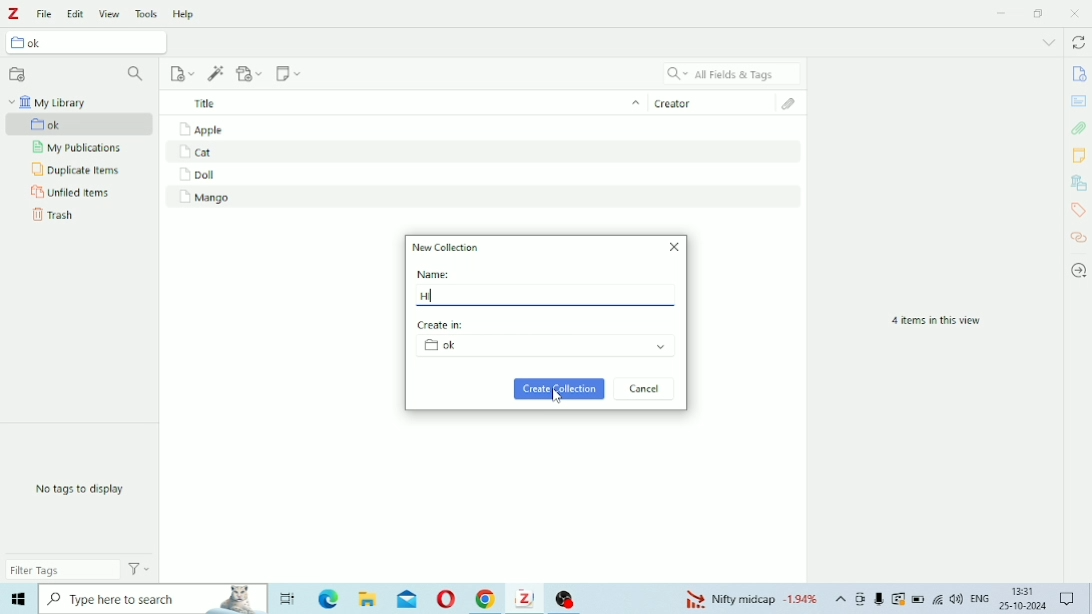 The image size is (1092, 614). I want to click on Add Item (s) by Identifier, so click(217, 74).